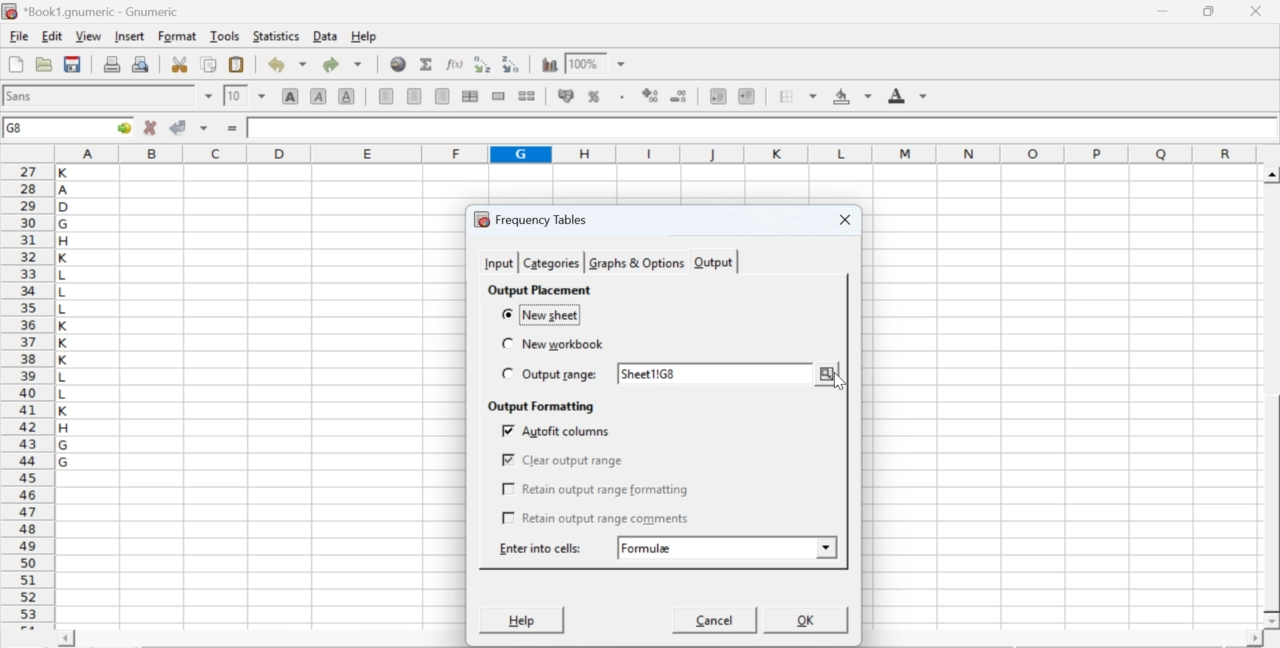 This screenshot has height=648, width=1280. Describe the element at coordinates (320, 95) in the screenshot. I see `italic` at that location.